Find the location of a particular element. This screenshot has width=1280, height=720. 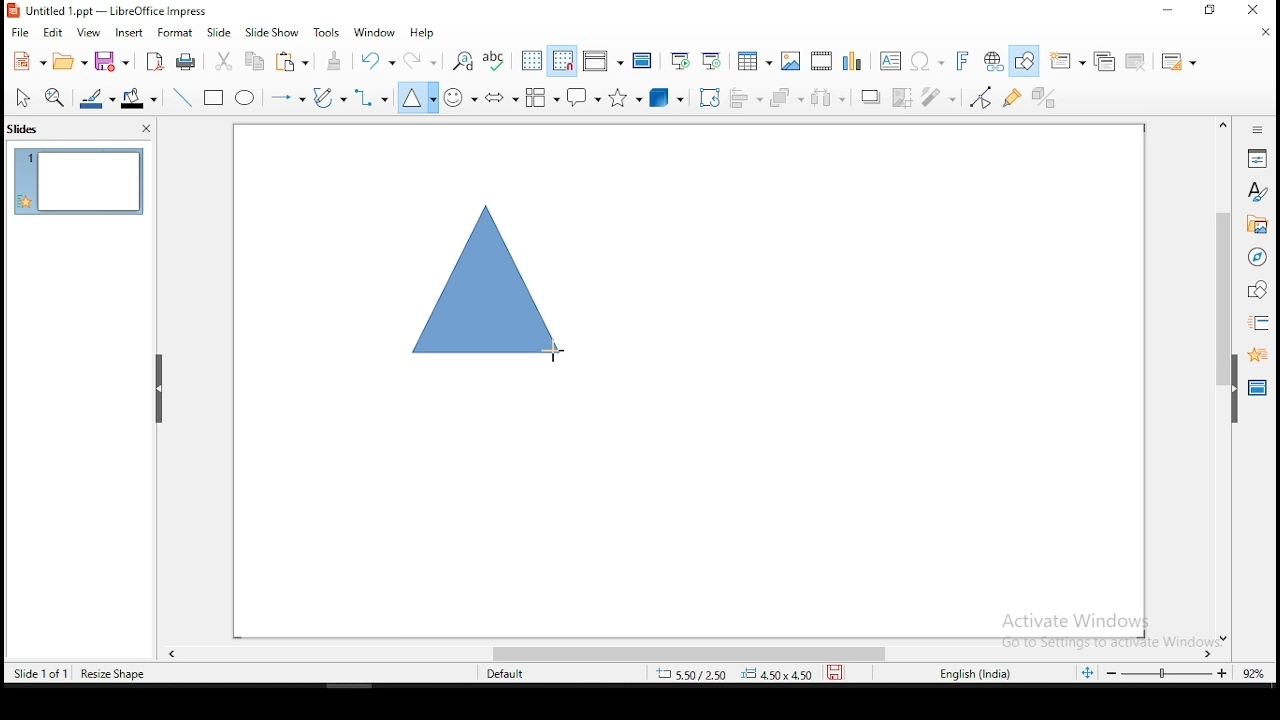

show draw functions is located at coordinates (1023, 62).